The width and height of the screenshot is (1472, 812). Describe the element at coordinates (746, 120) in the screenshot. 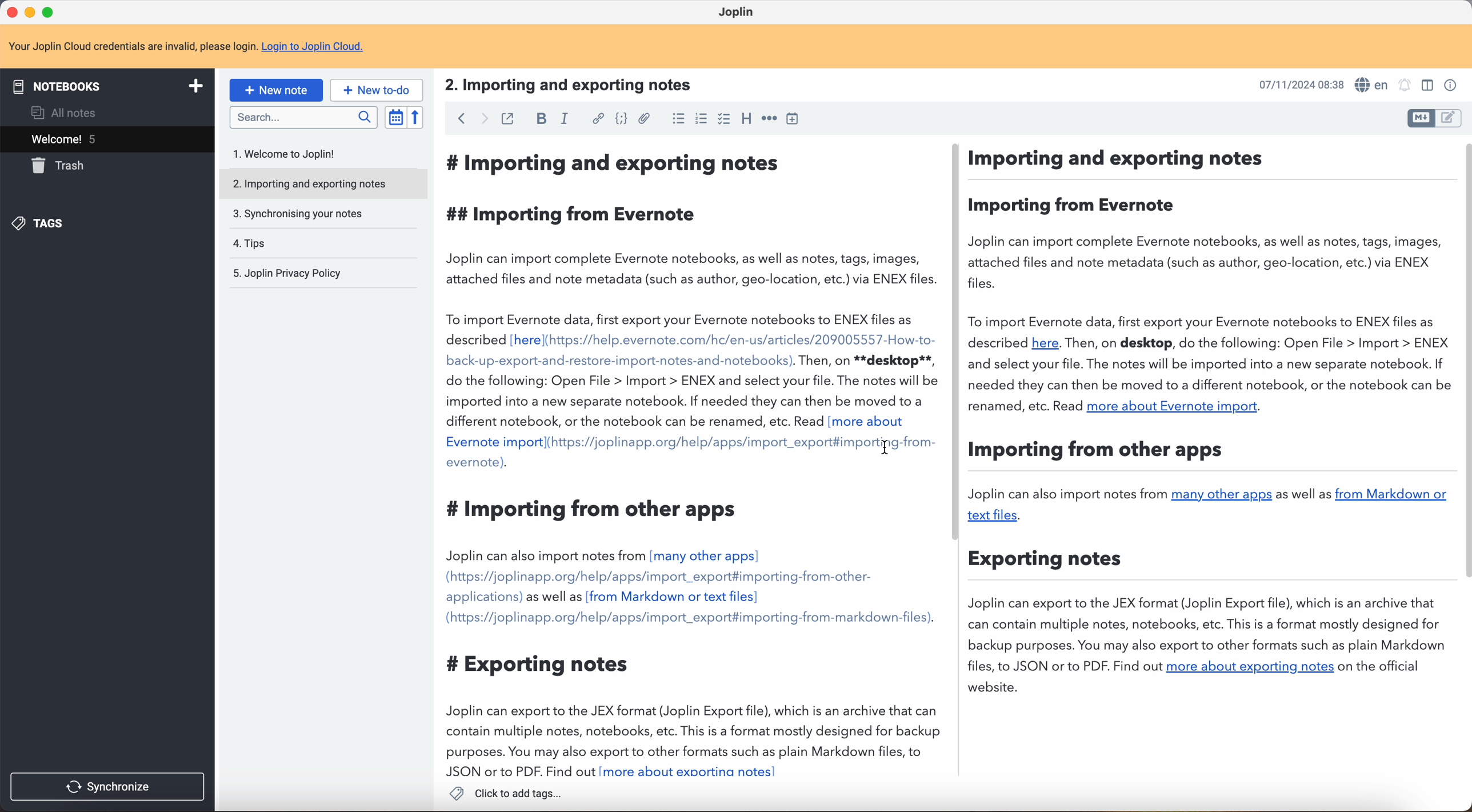

I see `heading` at that location.